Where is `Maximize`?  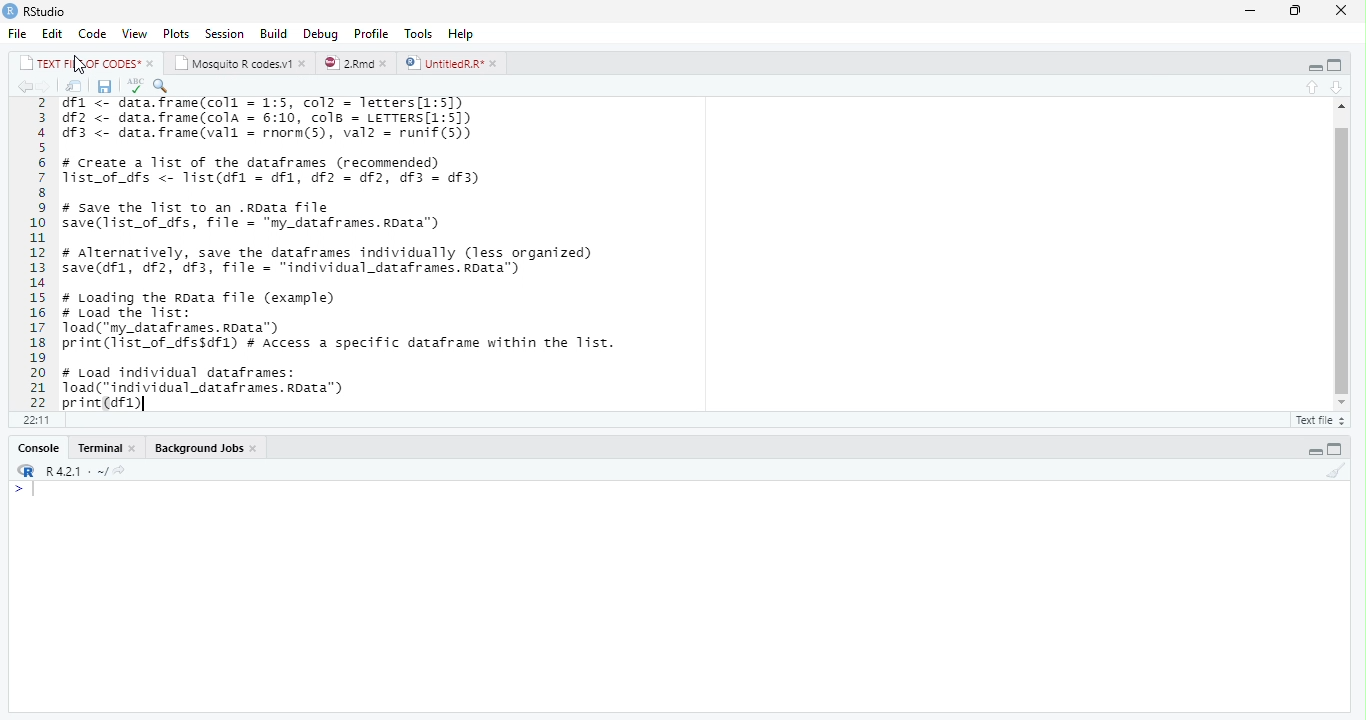 Maximize is located at coordinates (1298, 10).